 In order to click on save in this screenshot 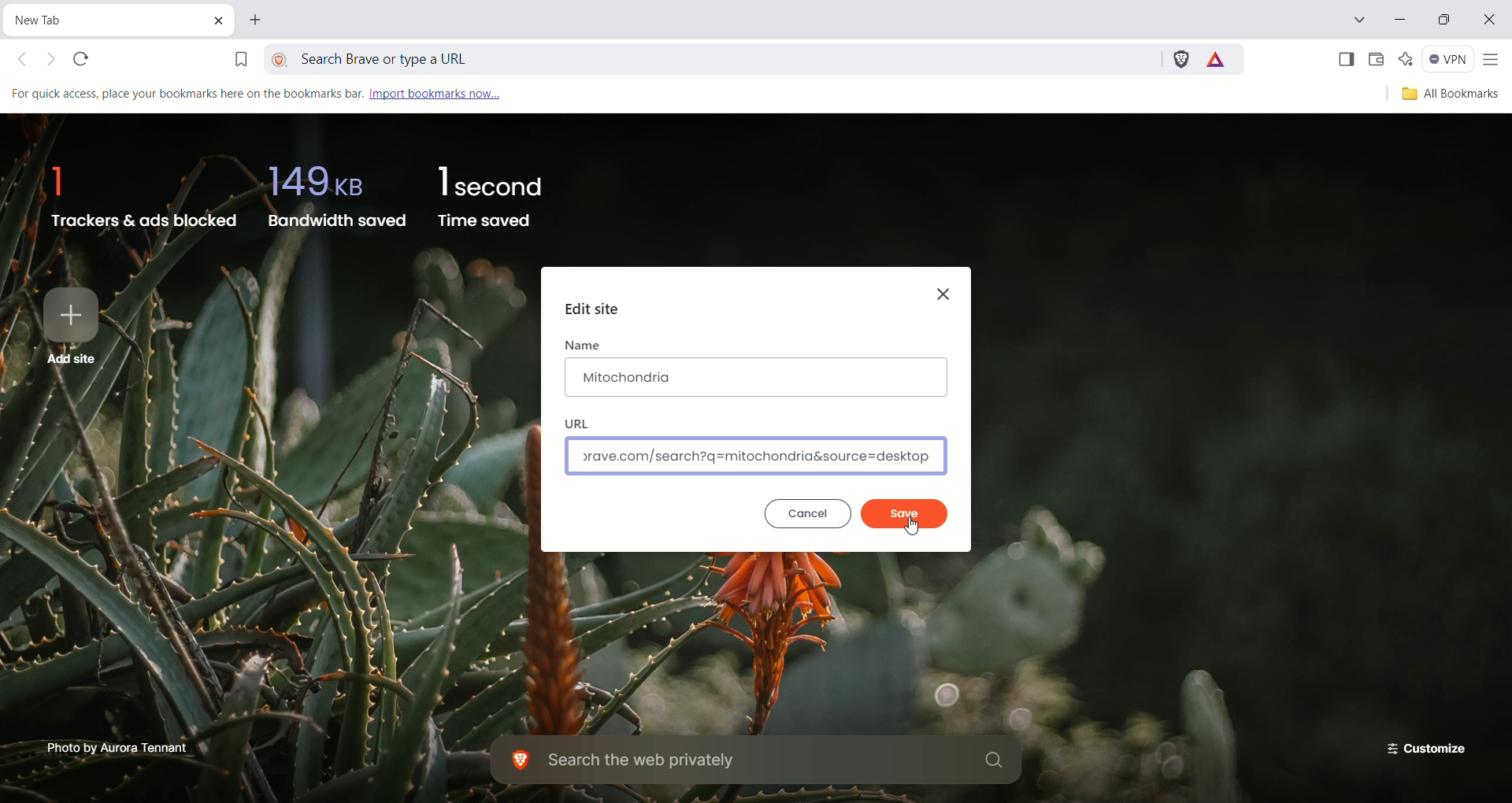, I will do `click(904, 513)`.